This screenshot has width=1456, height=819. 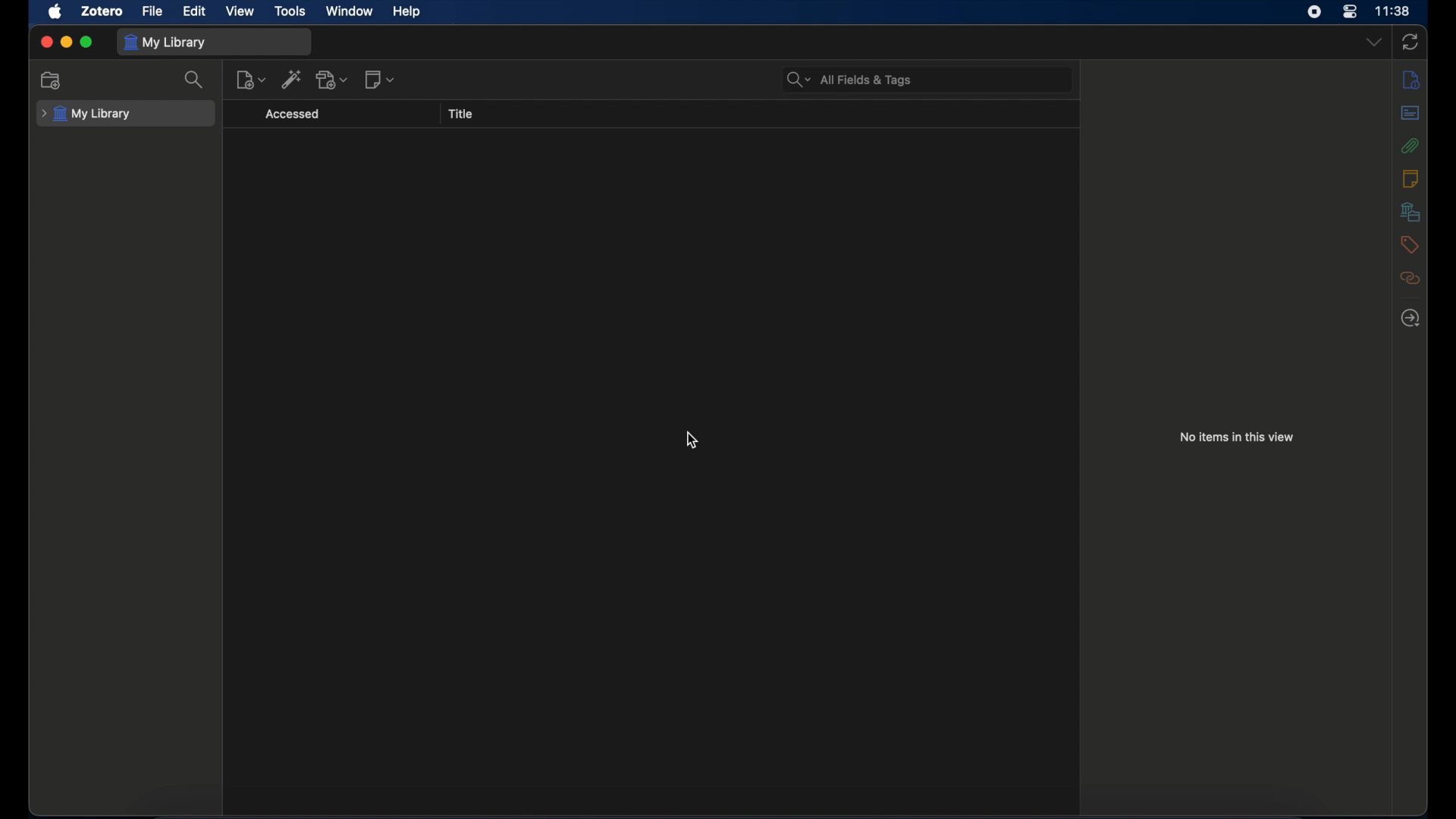 What do you see at coordinates (1410, 211) in the screenshot?
I see `libraries` at bounding box center [1410, 211].